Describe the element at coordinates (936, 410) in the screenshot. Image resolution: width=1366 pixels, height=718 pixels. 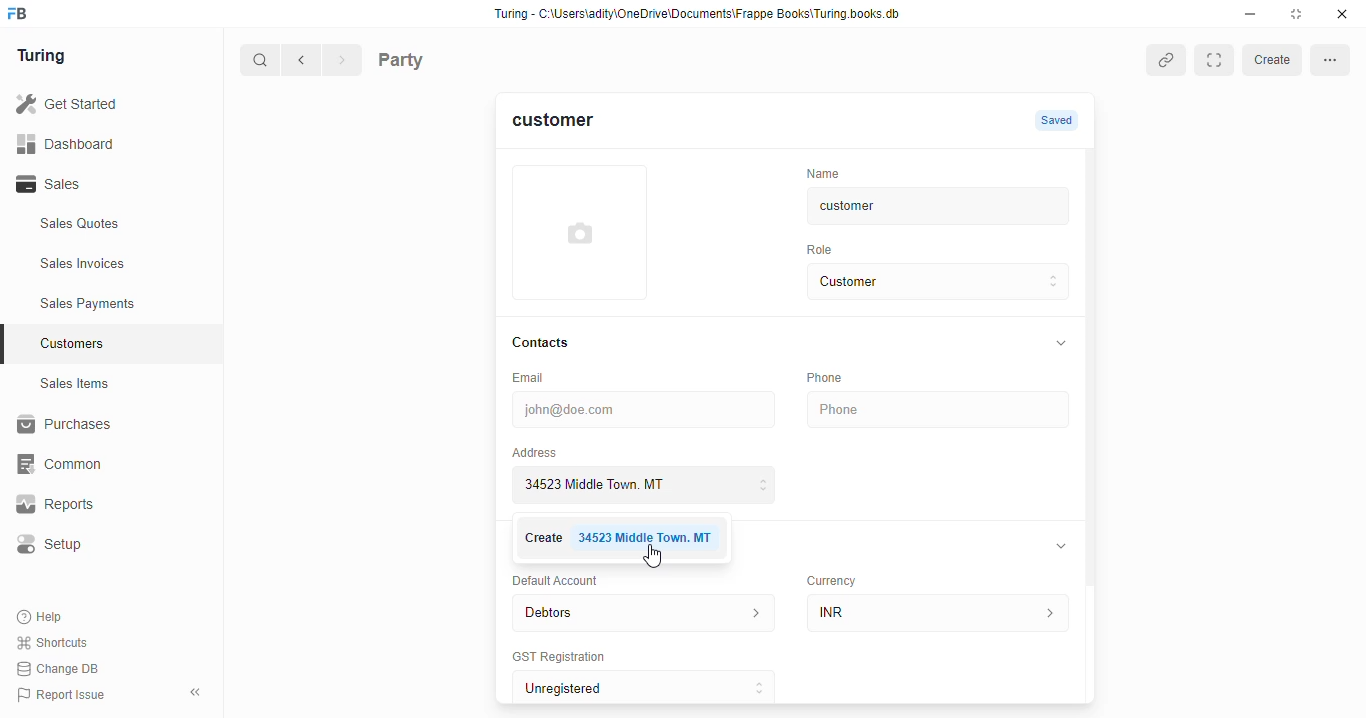
I see `Phone` at that location.